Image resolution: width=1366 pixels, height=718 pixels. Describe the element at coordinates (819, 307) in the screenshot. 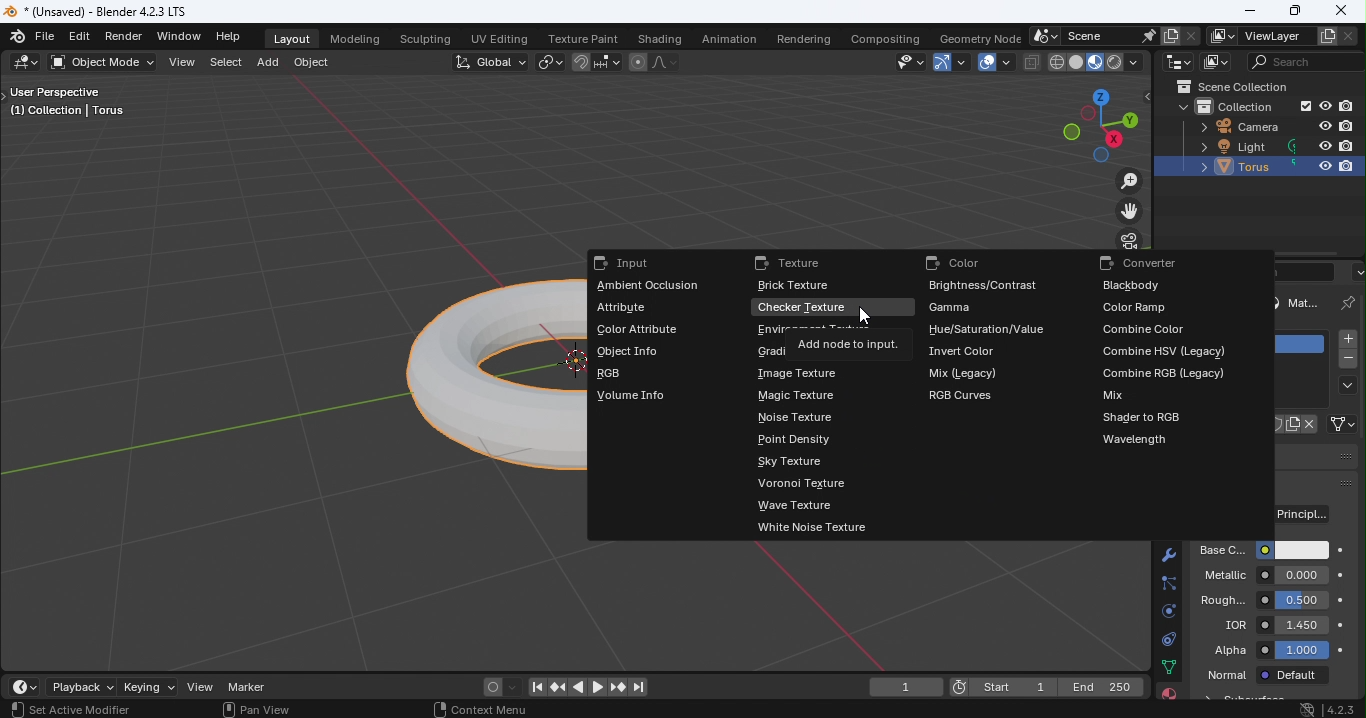

I see `Checker texture` at that location.